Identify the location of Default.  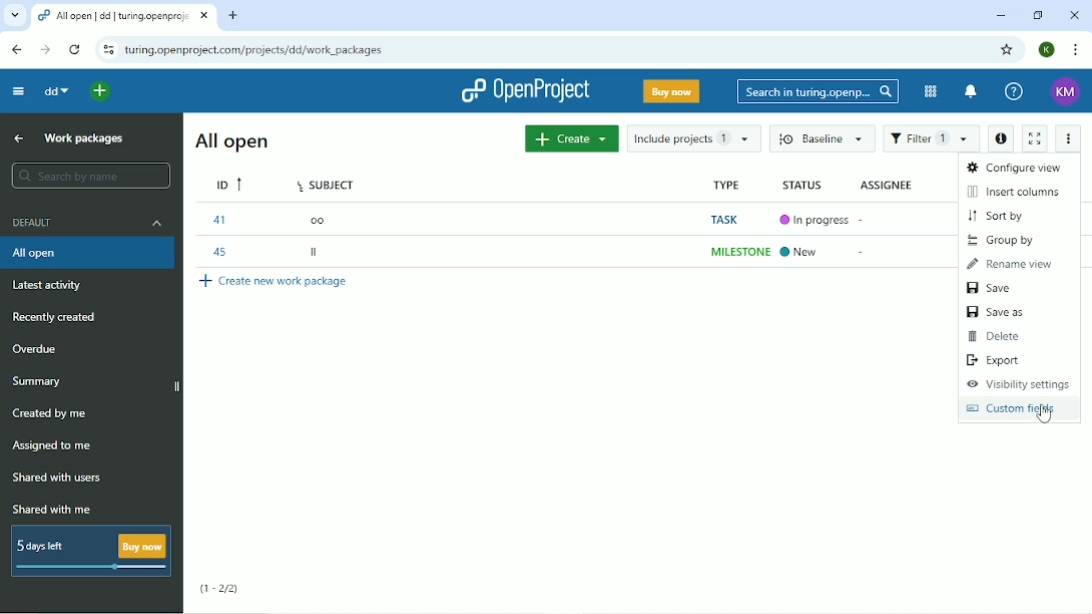
(87, 222).